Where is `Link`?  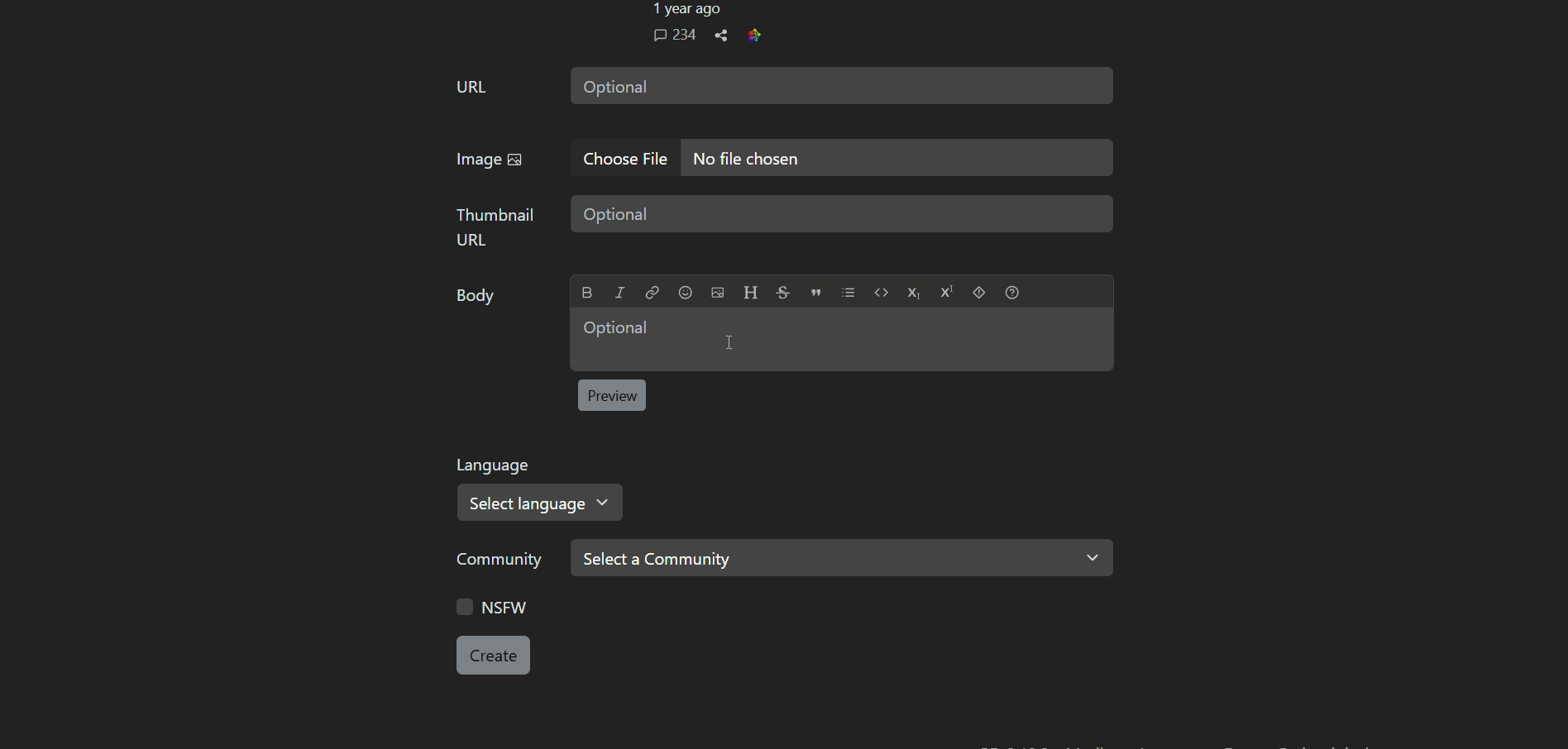
Link is located at coordinates (754, 35).